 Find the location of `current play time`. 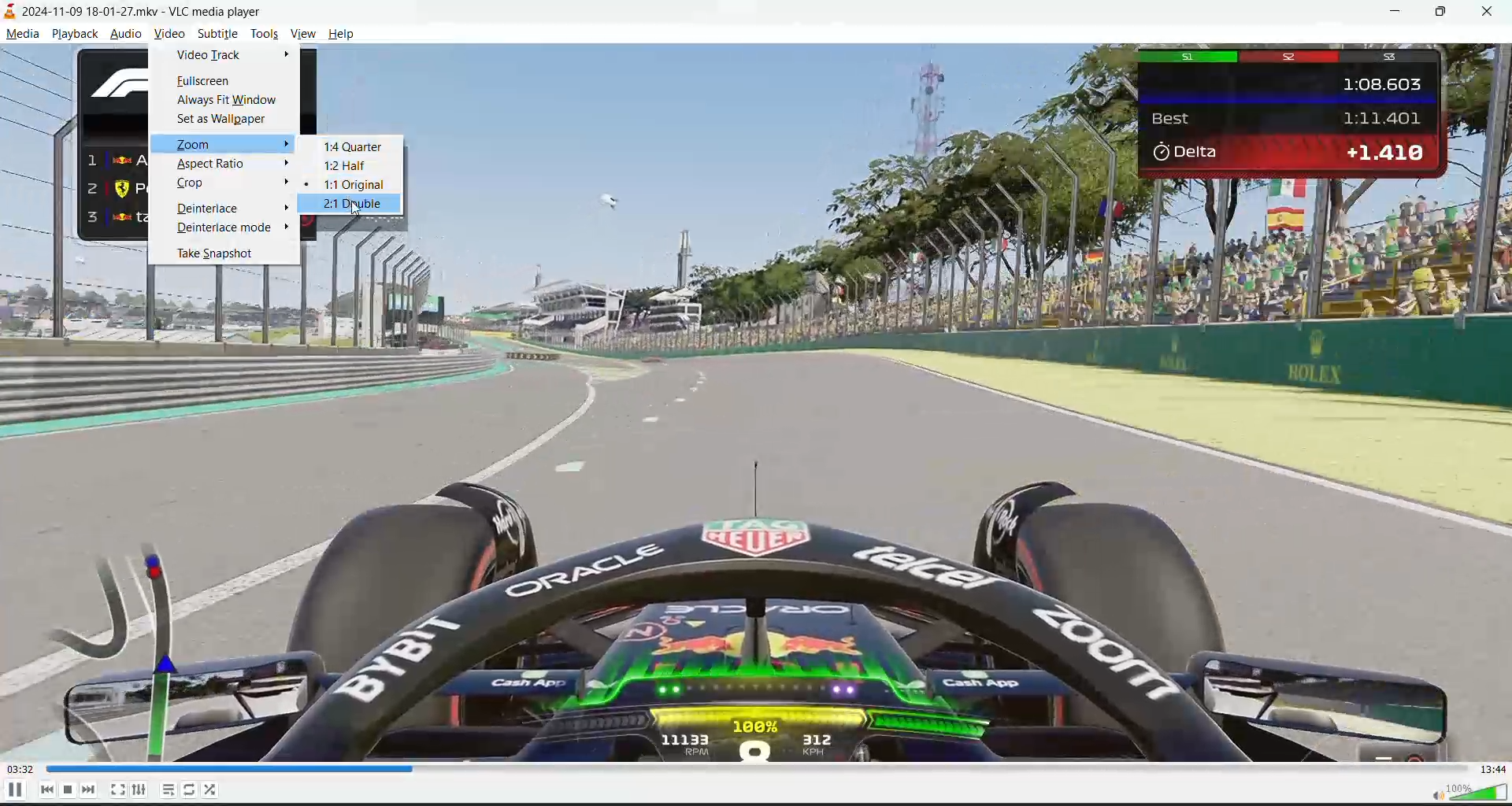

current play time is located at coordinates (21, 771).